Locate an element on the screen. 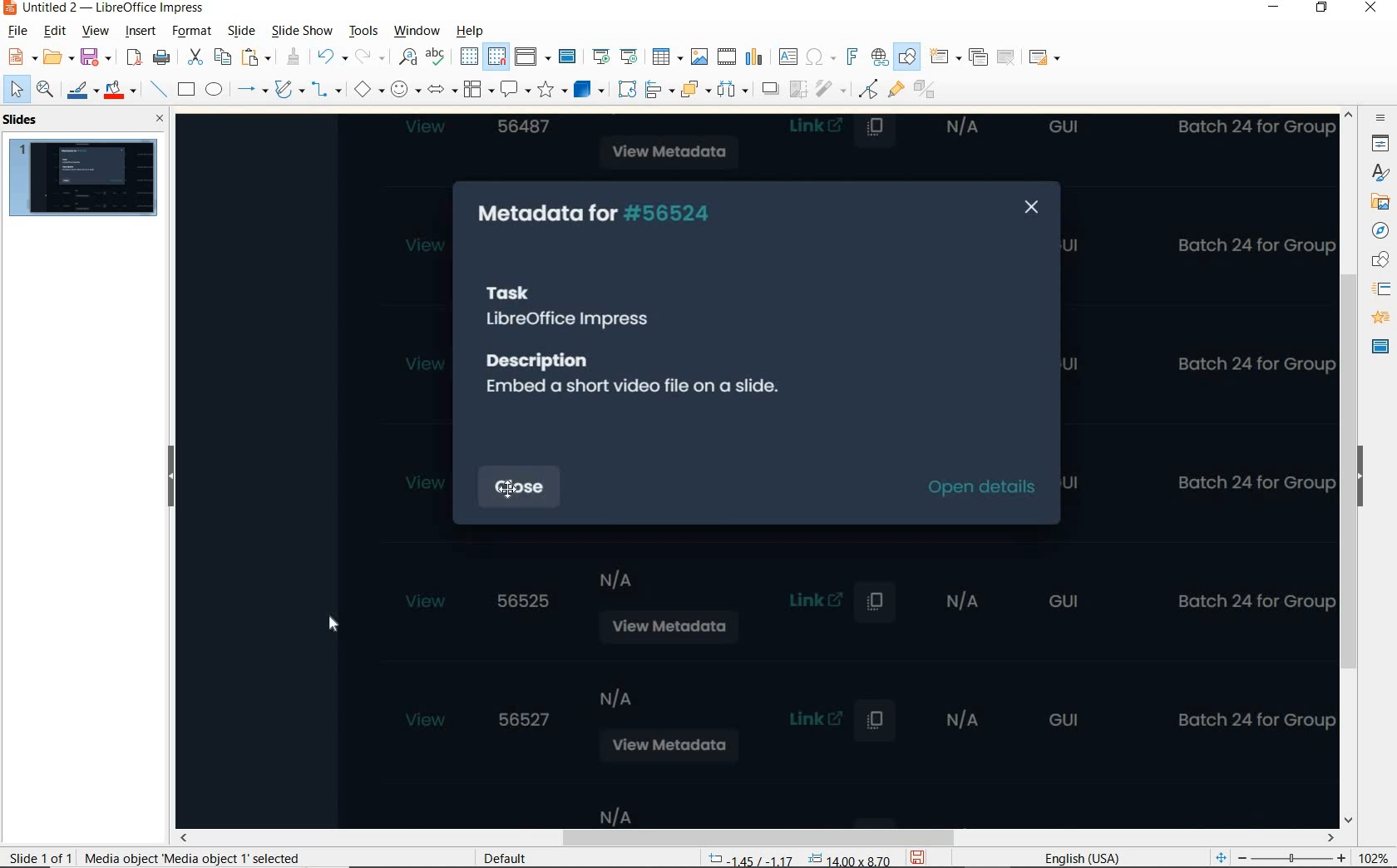  SELECT is located at coordinates (14, 88).